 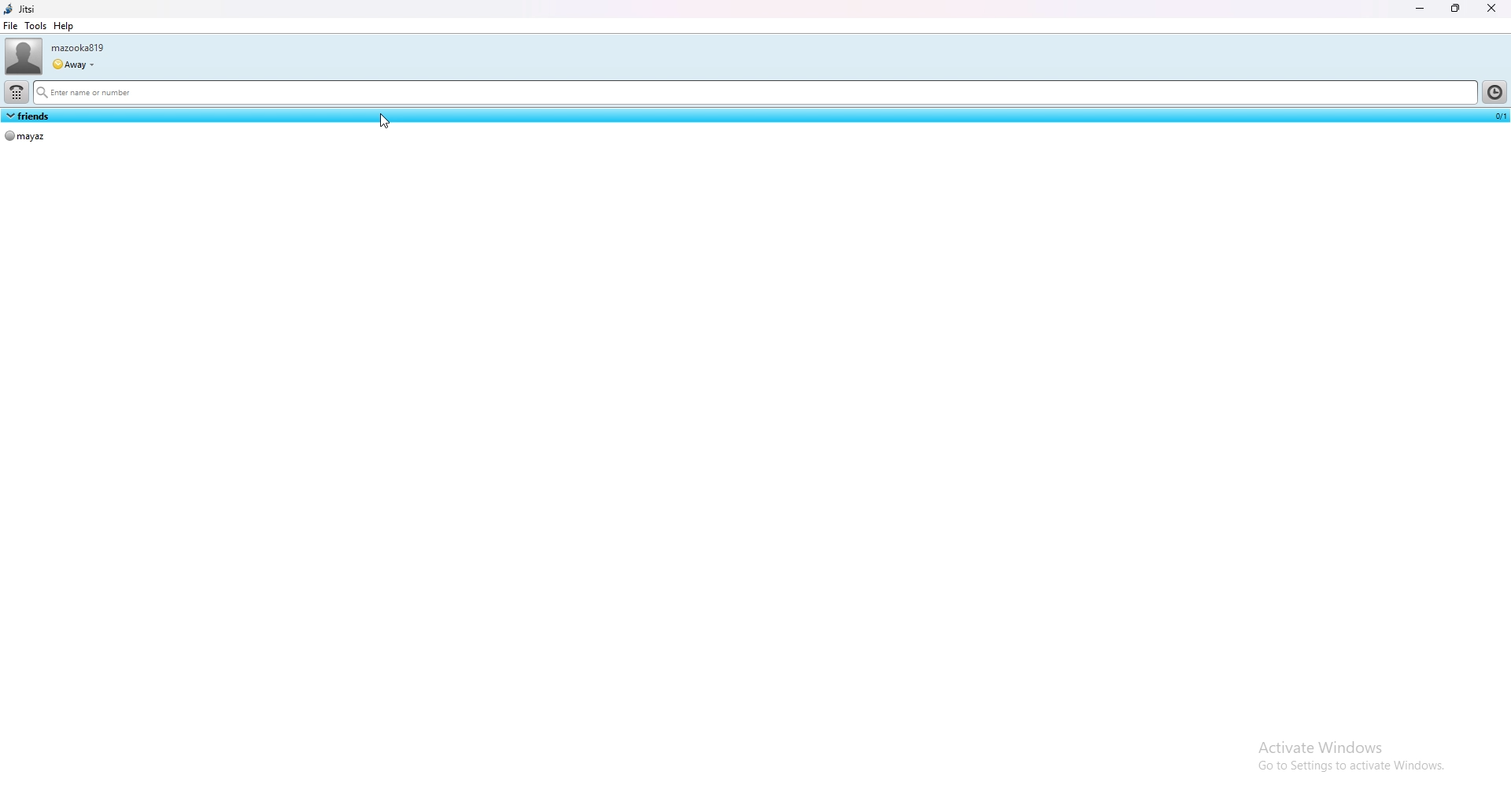 What do you see at coordinates (27, 137) in the screenshot?
I see `contact` at bounding box center [27, 137].